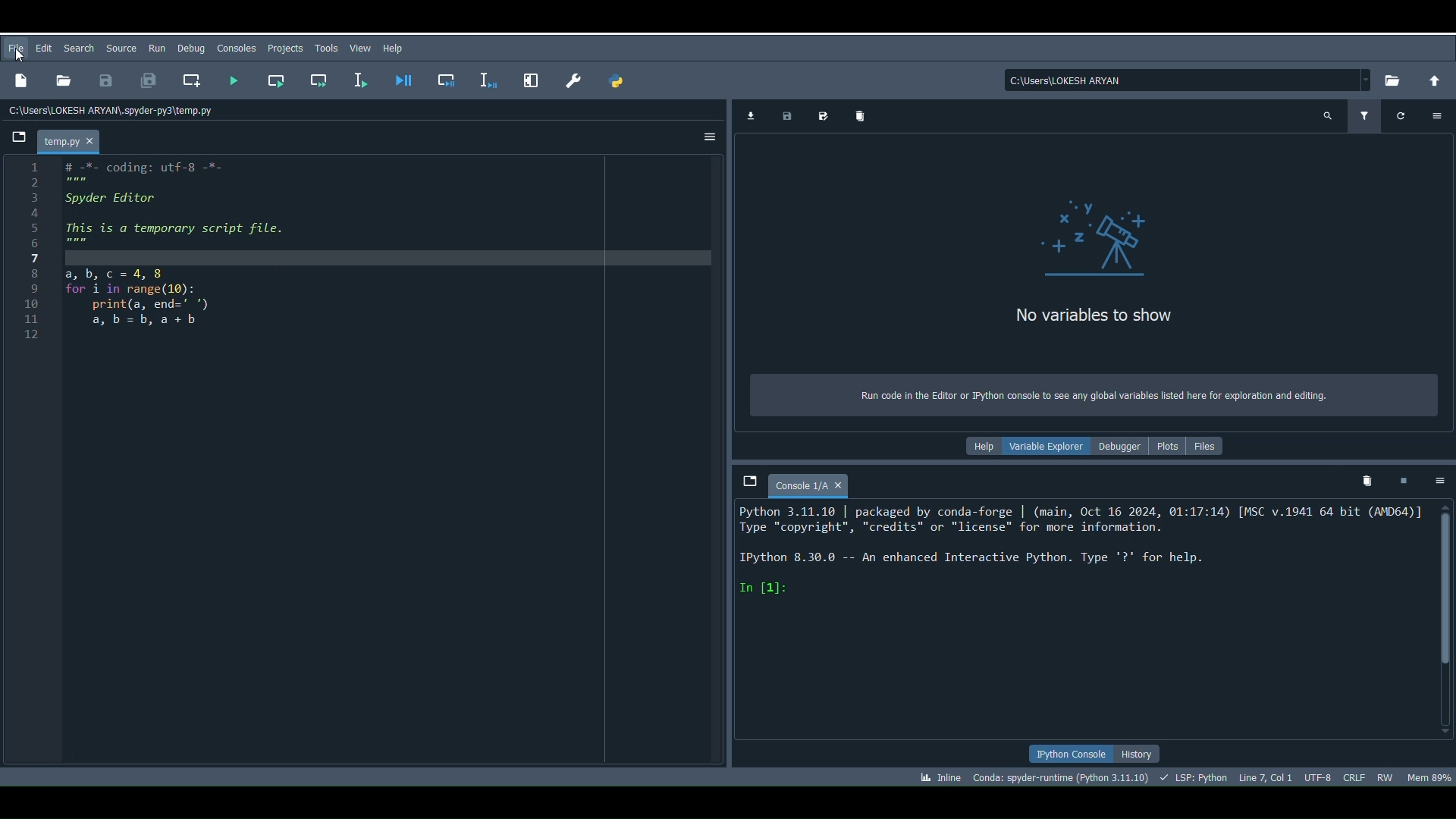  What do you see at coordinates (746, 477) in the screenshot?
I see `Browse tabs` at bounding box center [746, 477].